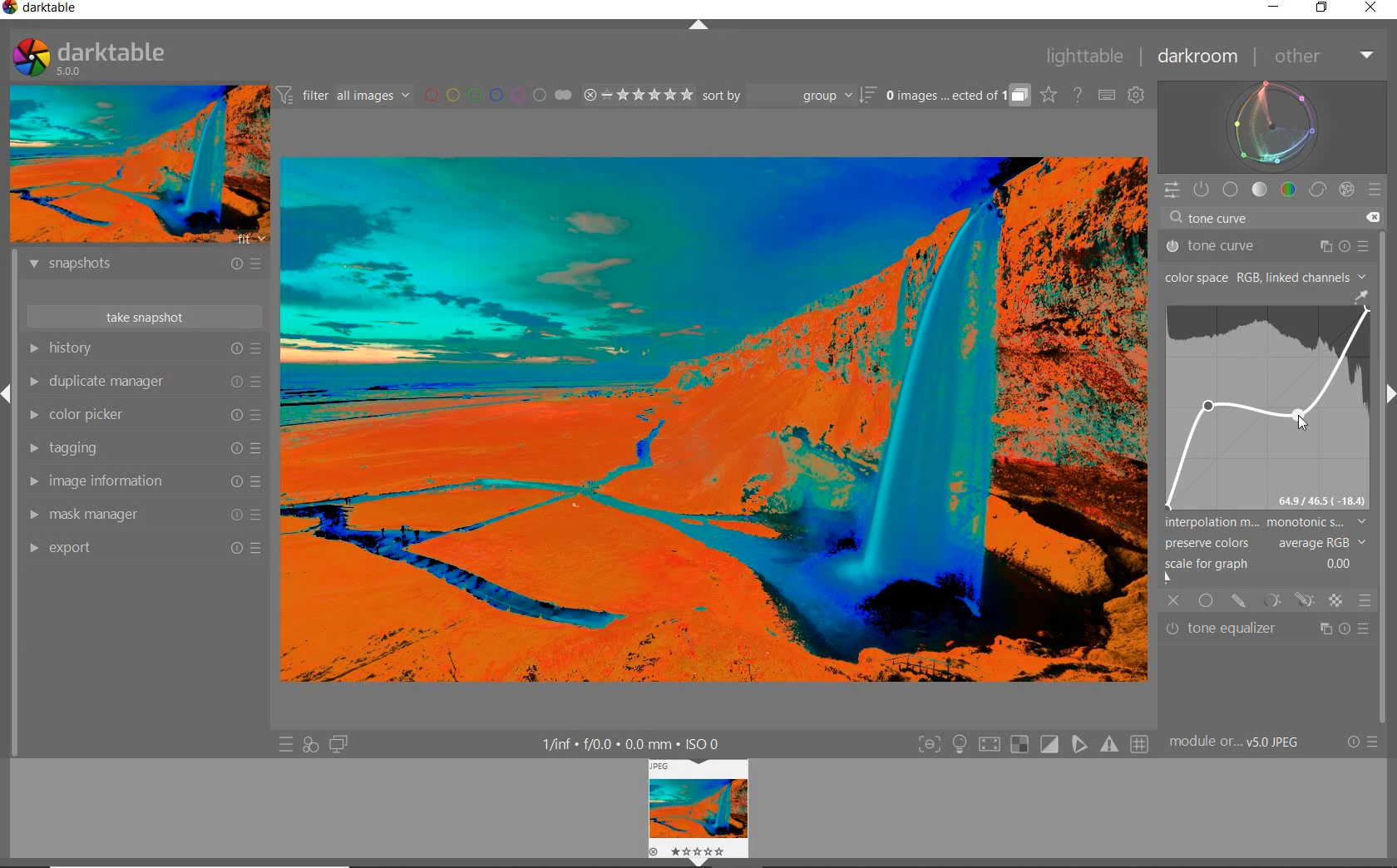  Describe the element at coordinates (958, 96) in the screenshot. I see `EXPAND GROUPED IMAGES` at that location.